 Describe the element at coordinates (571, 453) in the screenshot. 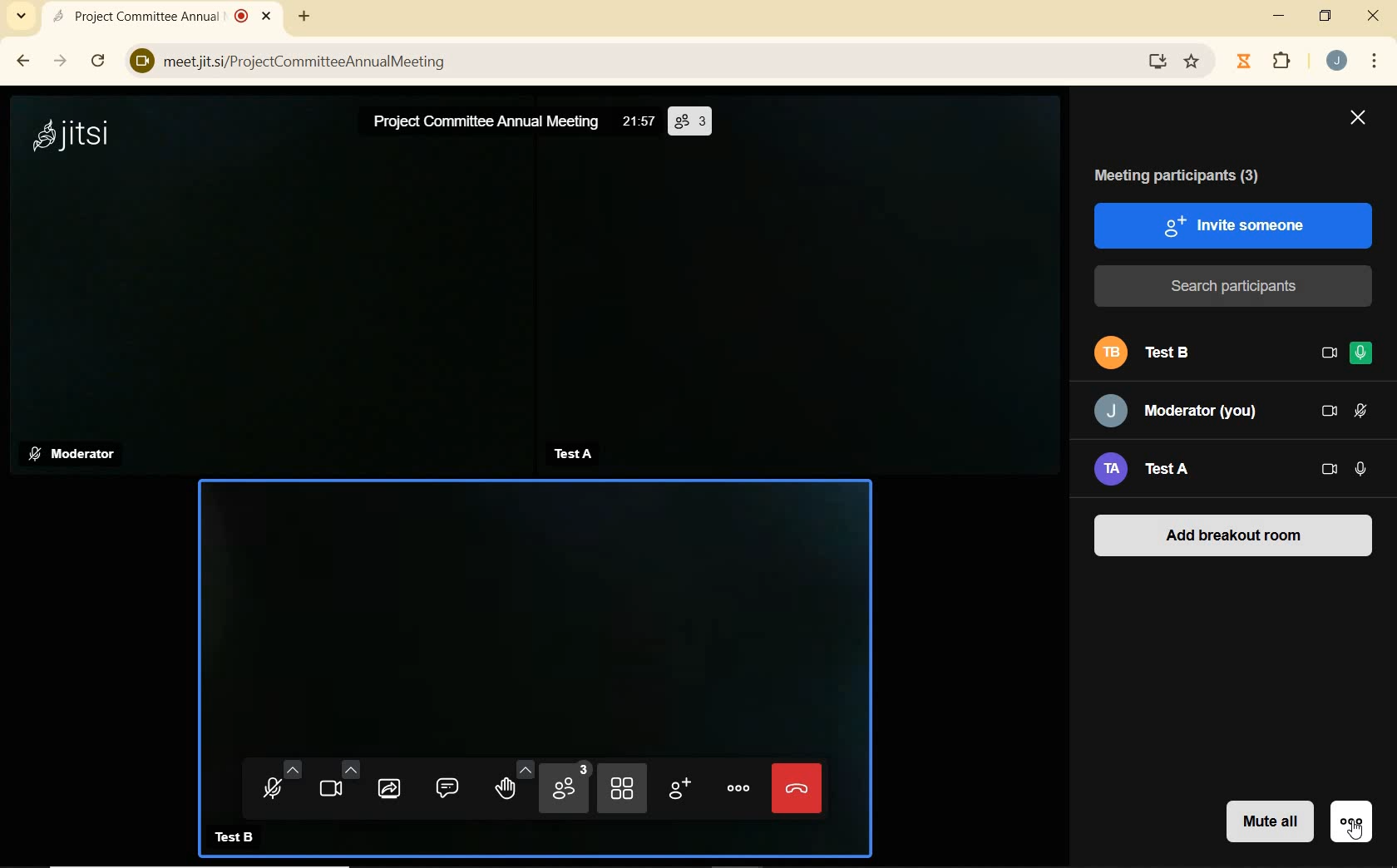

I see `test a` at that location.